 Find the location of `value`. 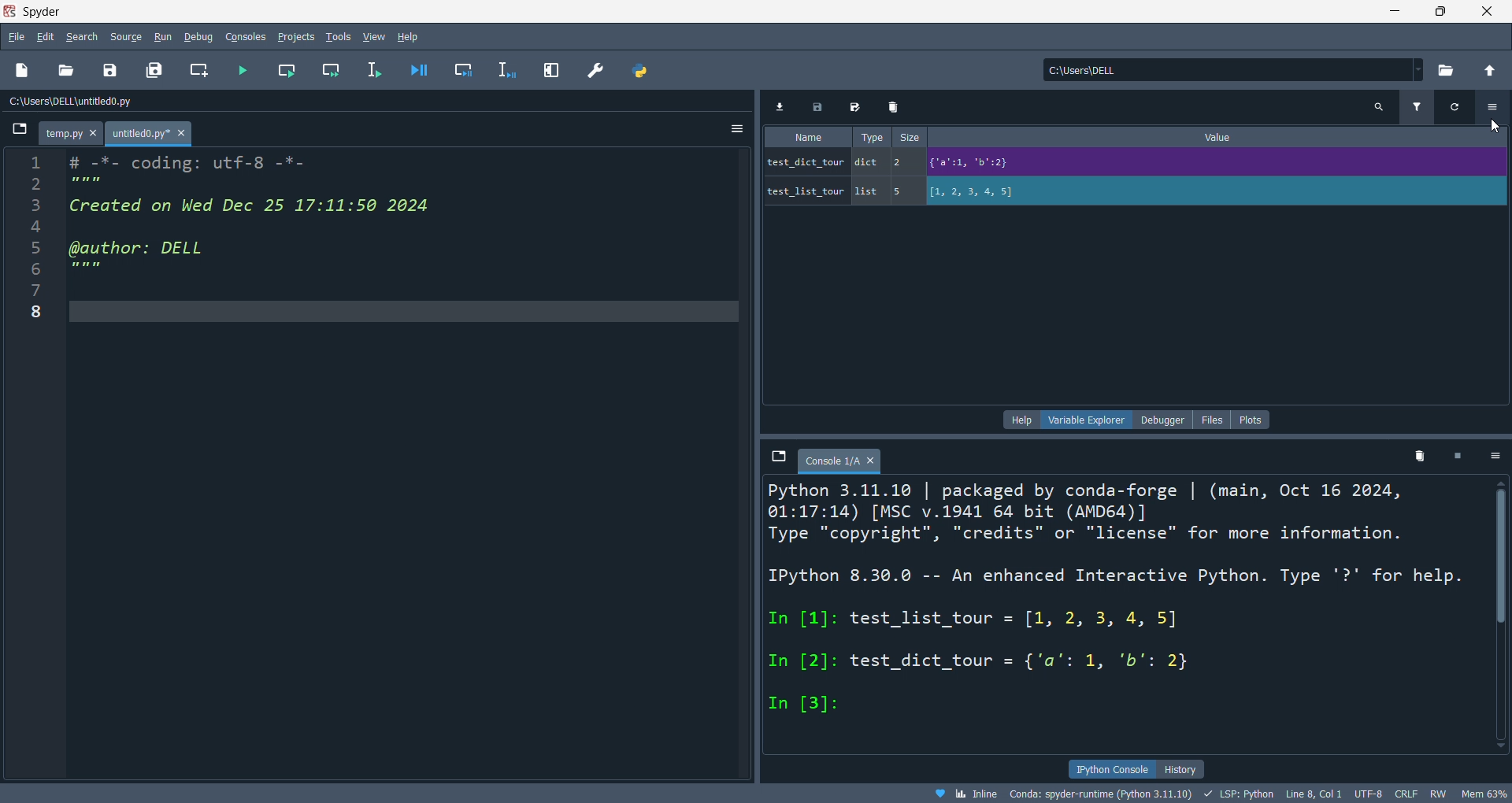

value is located at coordinates (1221, 136).